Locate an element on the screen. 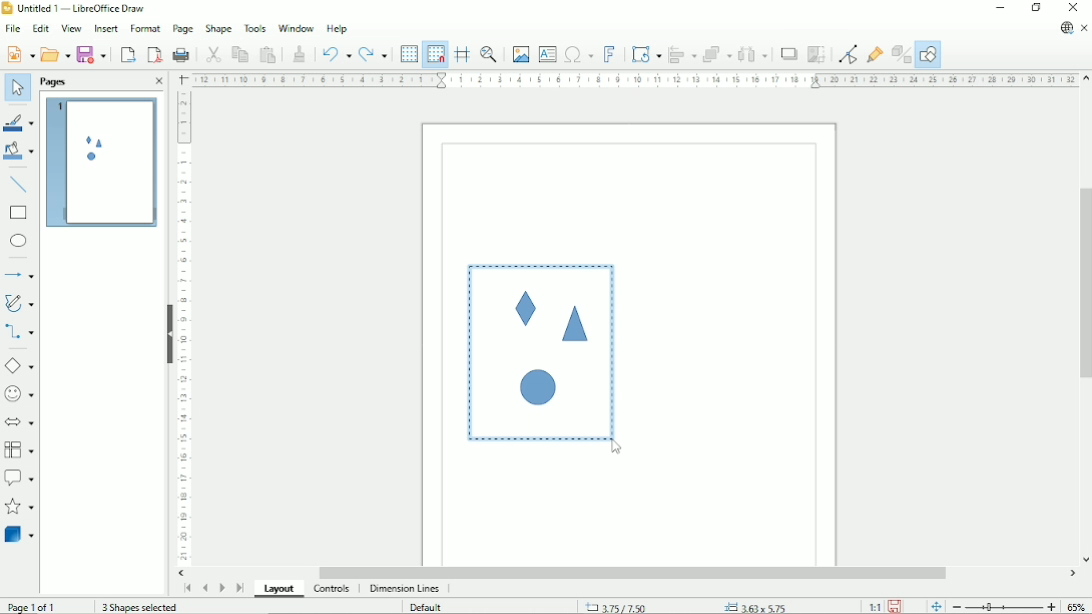 The image size is (1092, 614). Cursor is located at coordinates (616, 450).